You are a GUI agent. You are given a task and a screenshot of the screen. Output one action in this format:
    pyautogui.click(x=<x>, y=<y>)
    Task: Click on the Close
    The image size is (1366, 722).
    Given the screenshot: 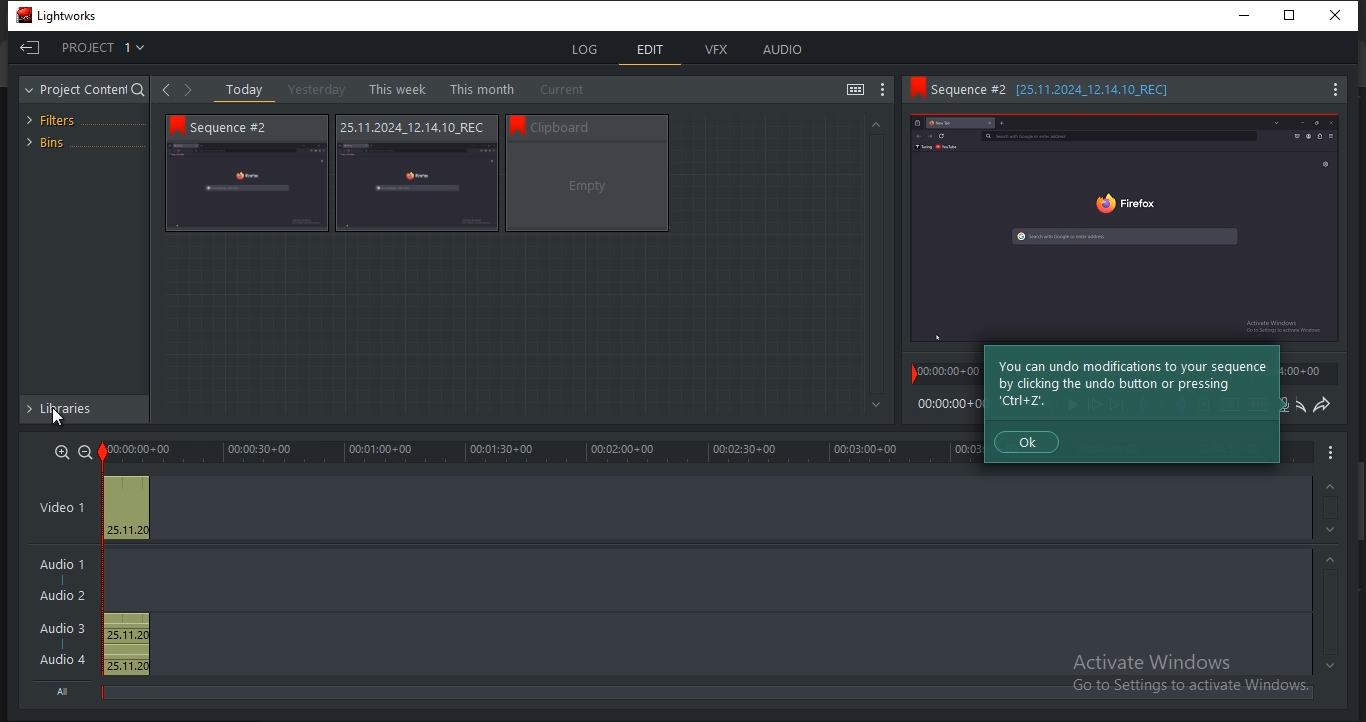 What is the action you would take?
    pyautogui.click(x=1339, y=14)
    